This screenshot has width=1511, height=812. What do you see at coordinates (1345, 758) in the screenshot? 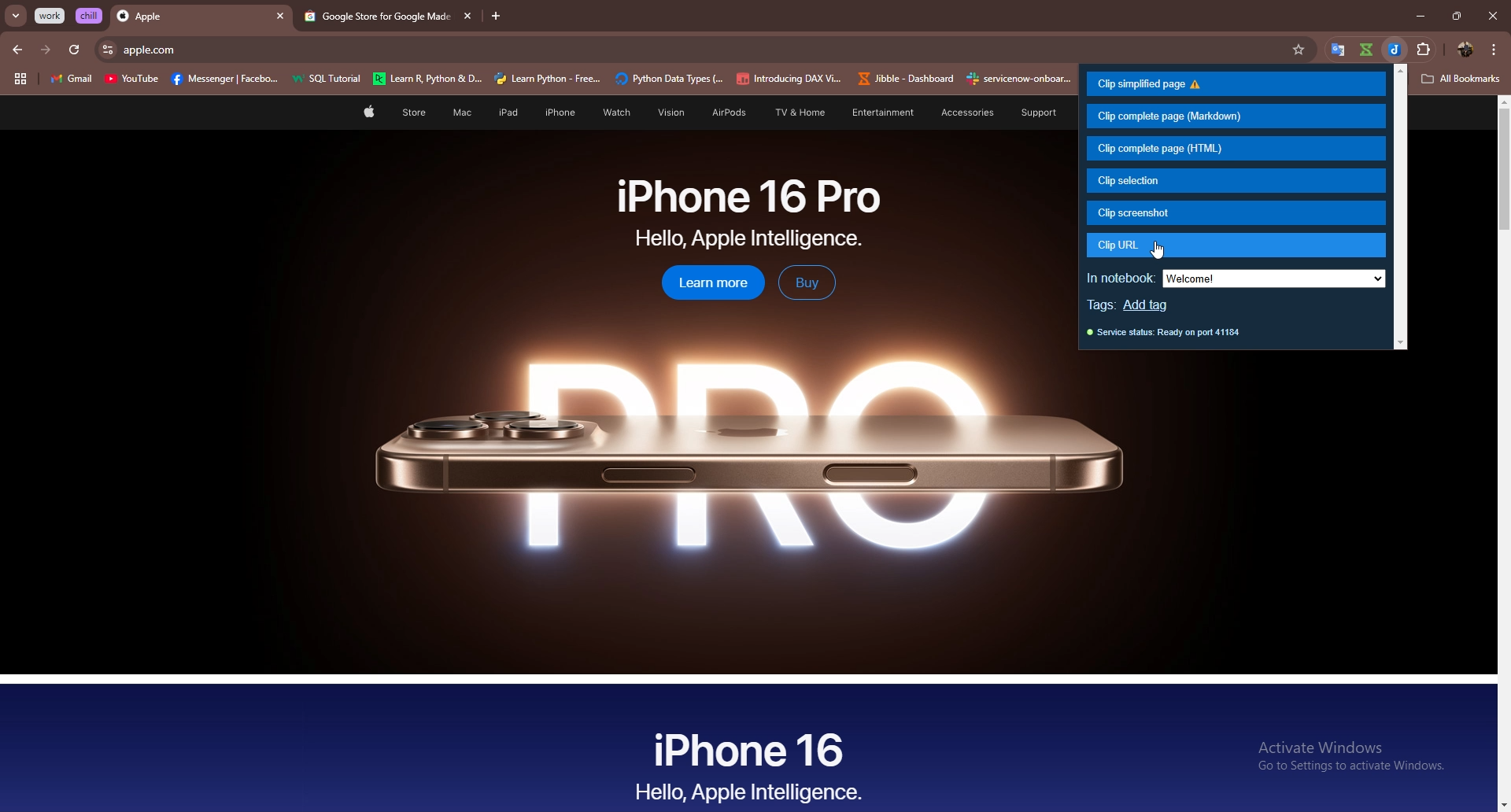
I see `Activate Windows
Go to Settings to activate Windows.` at bounding box center [1345, 758].